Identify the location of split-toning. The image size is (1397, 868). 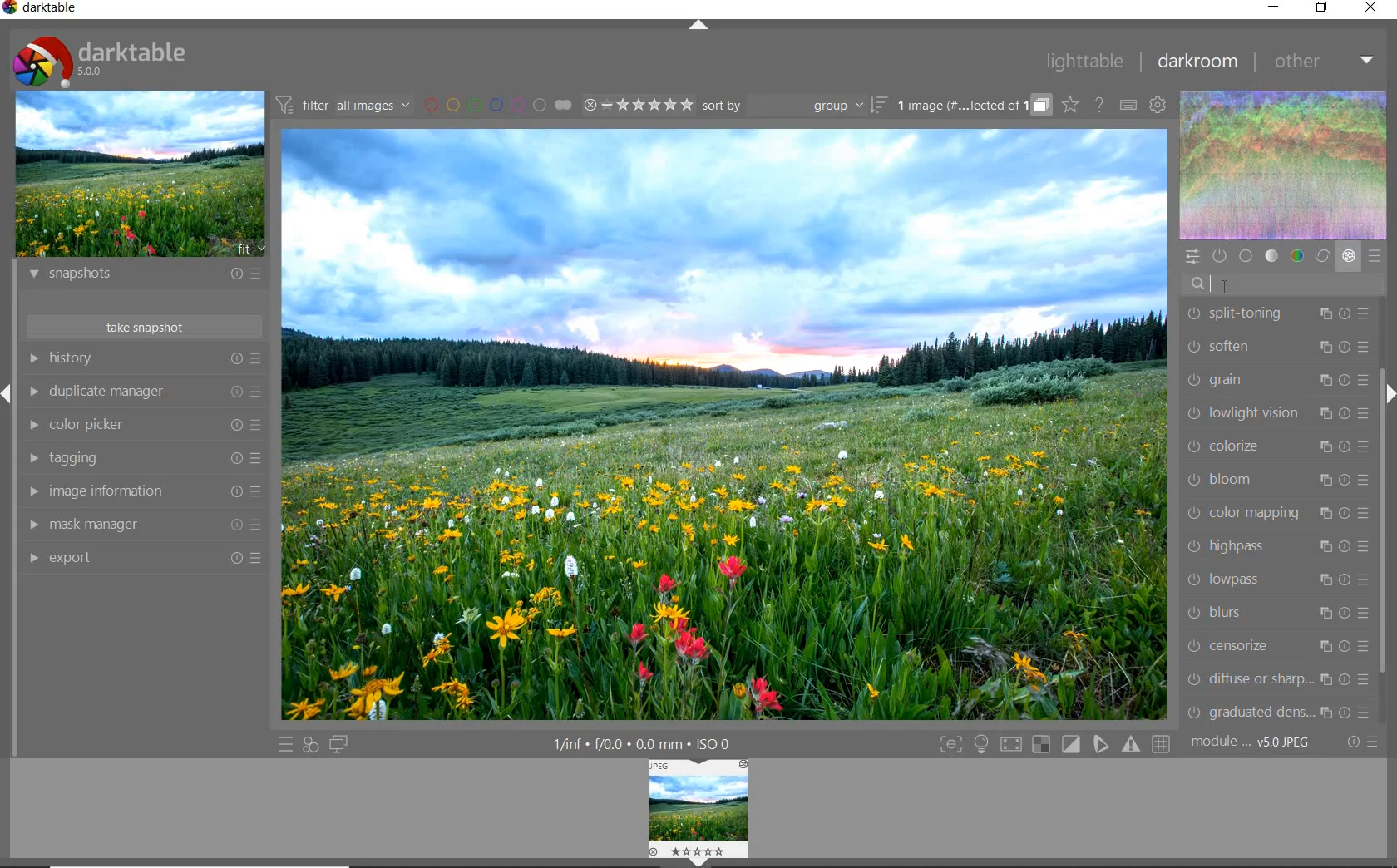
(1278, 315).